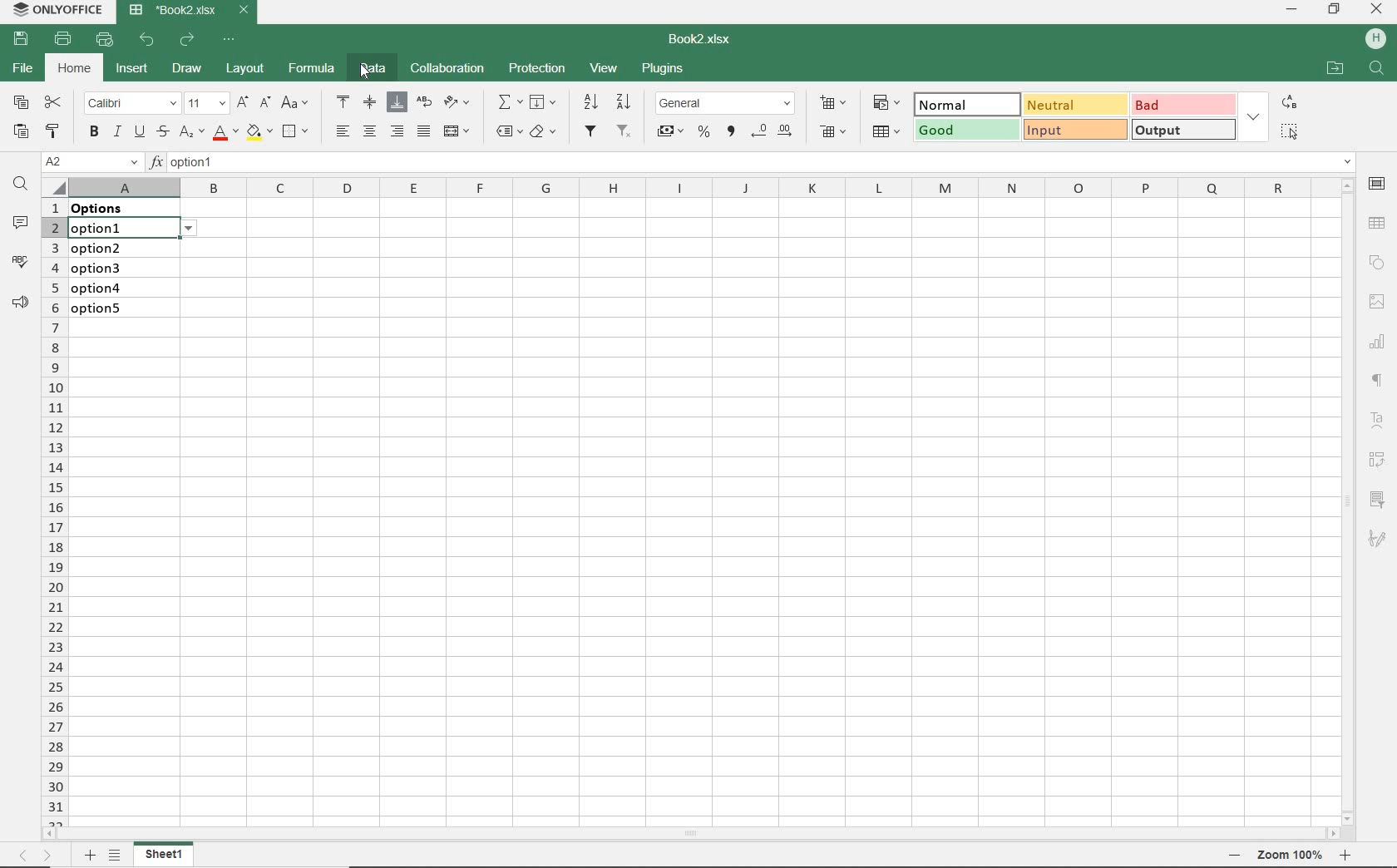 This screenshot has width=1397, height=868. Describe the element at coordinates (834, 103) in the screenshot. I see `INSERT CELLS` at that location.